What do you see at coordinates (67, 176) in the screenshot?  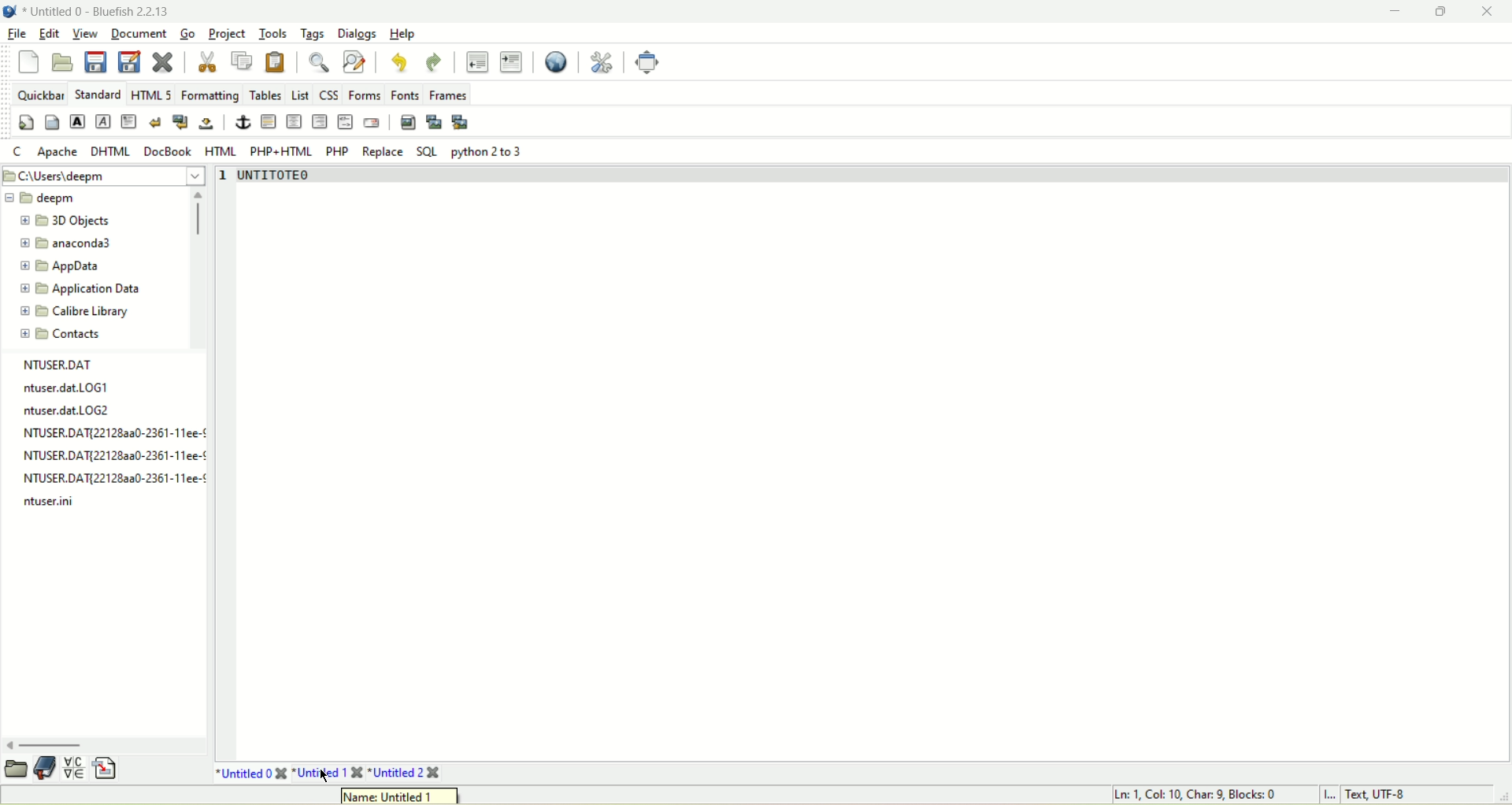 I see `file location` at bounding box center [67, 176].